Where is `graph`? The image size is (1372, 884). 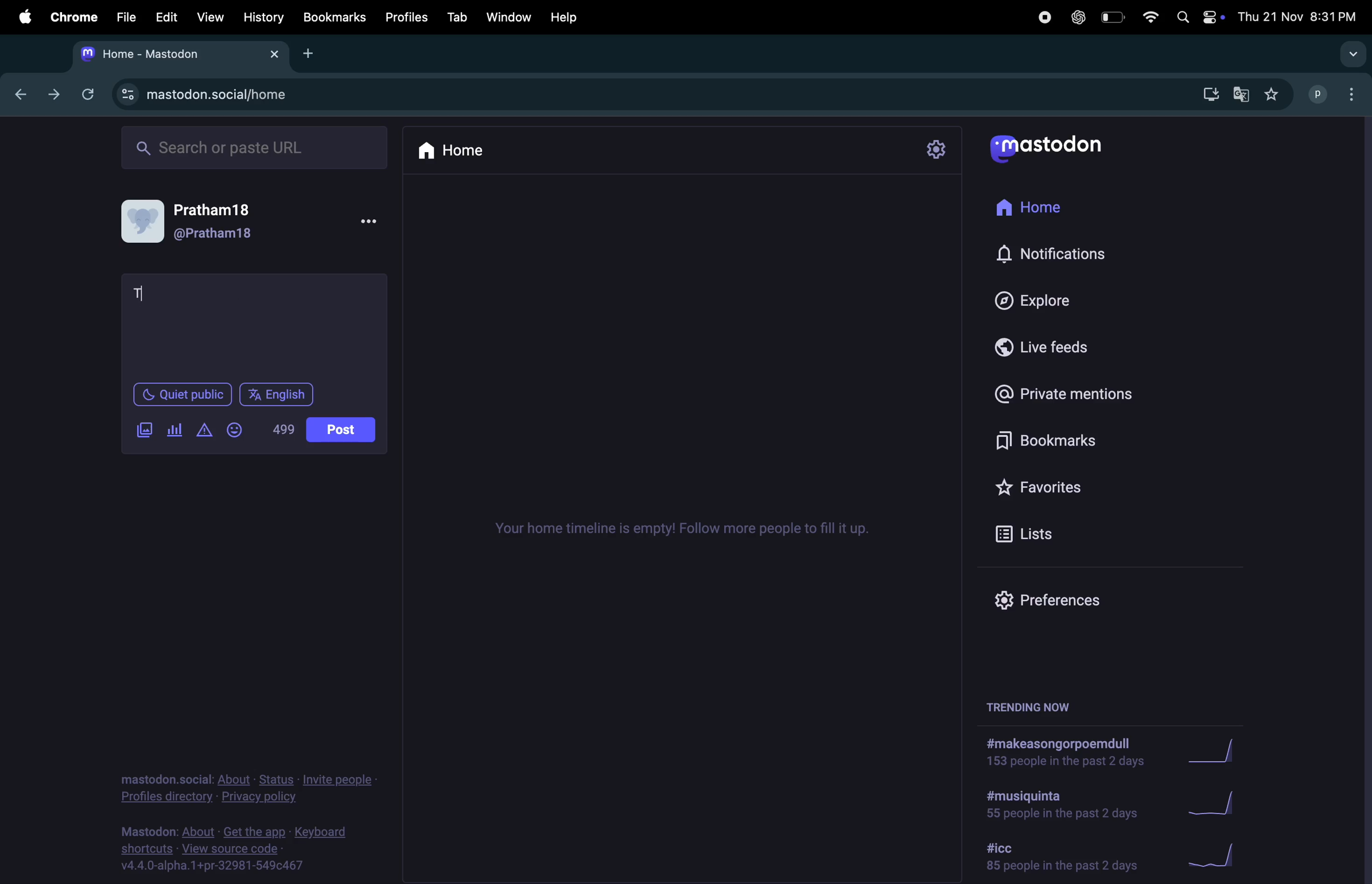
graph is located at coordinates (1210, 858).